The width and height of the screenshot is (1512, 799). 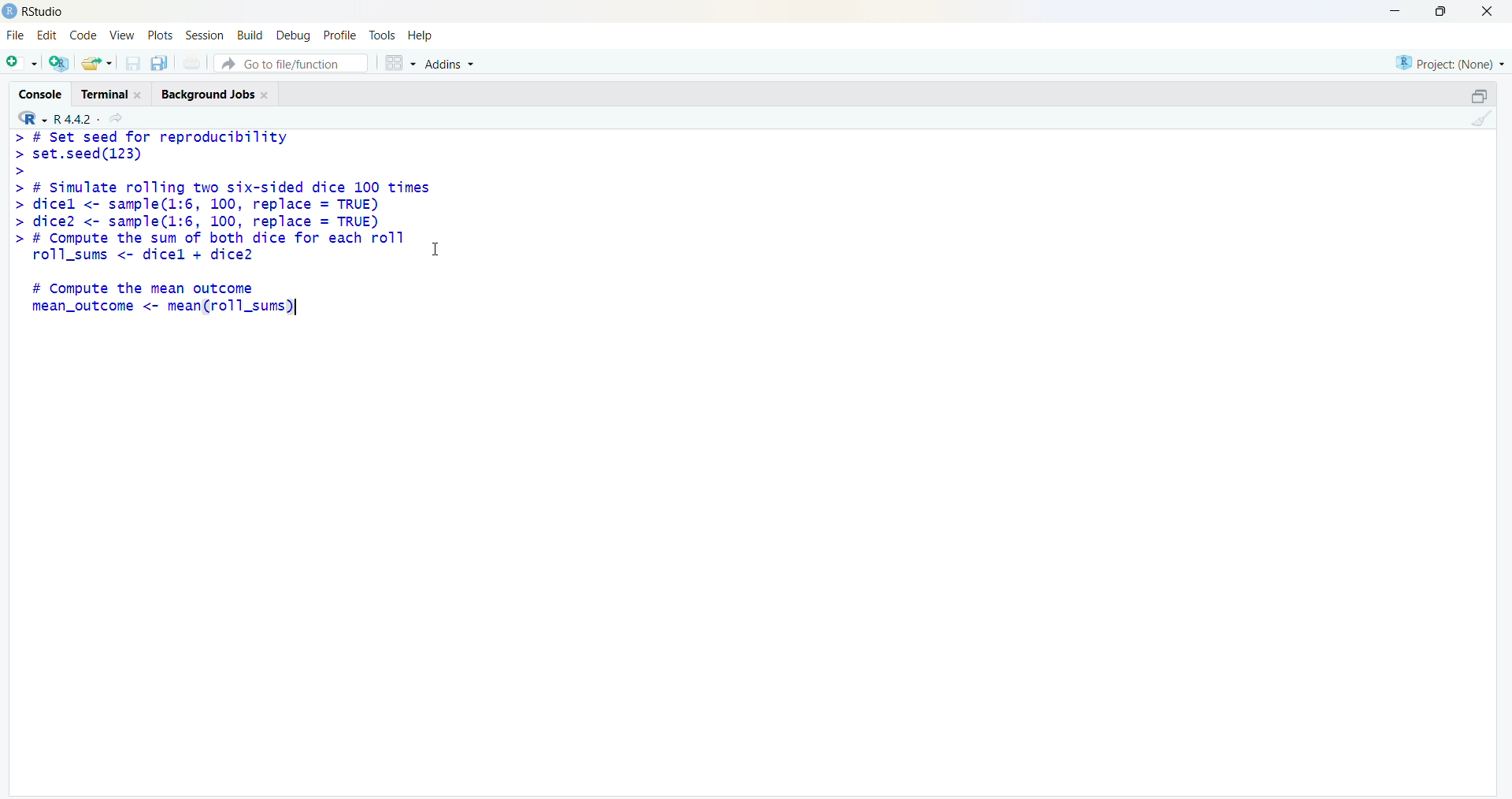 I want to click on save, so click(x=132, y=63).